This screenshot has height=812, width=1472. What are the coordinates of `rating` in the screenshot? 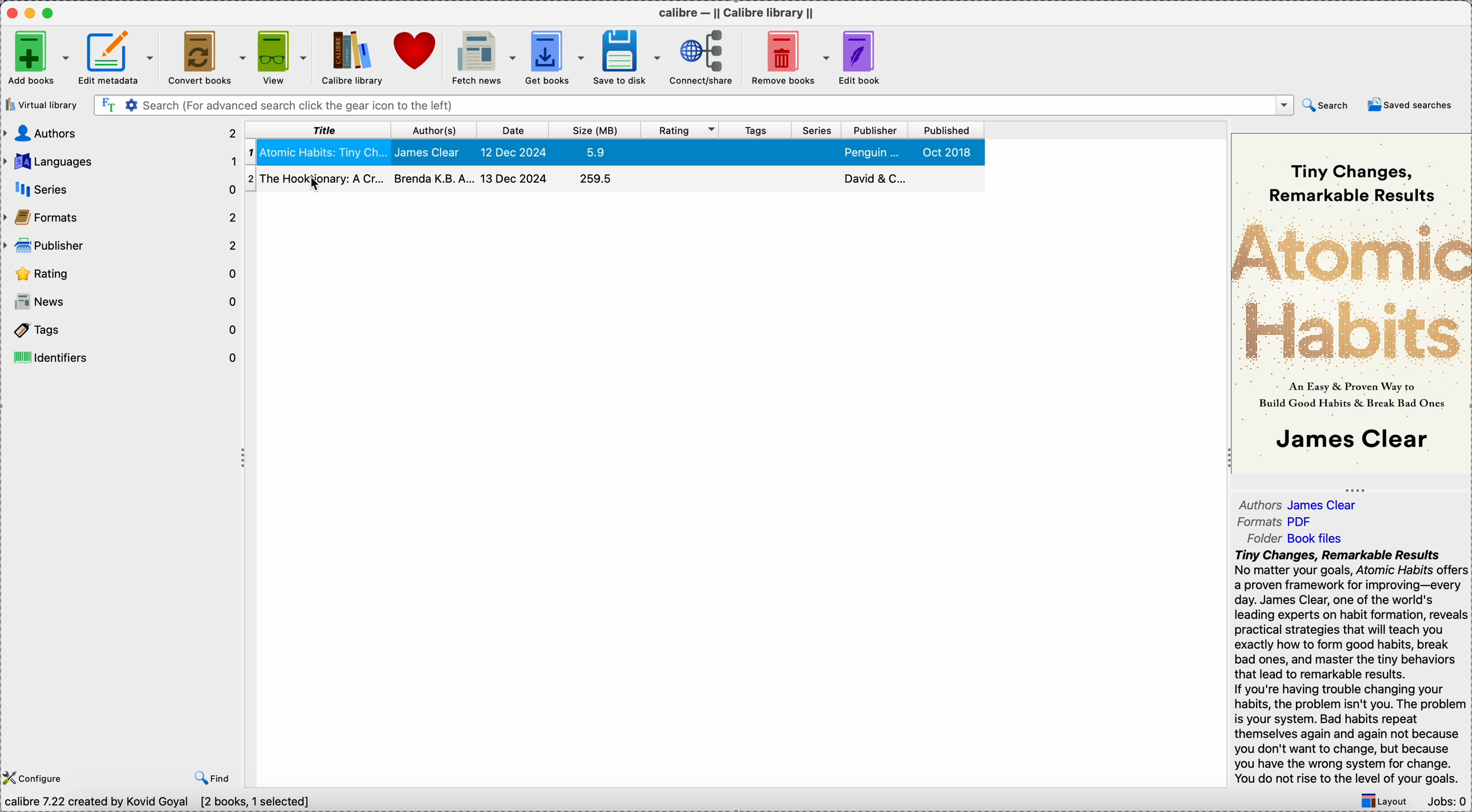 It's located at (123, 272).